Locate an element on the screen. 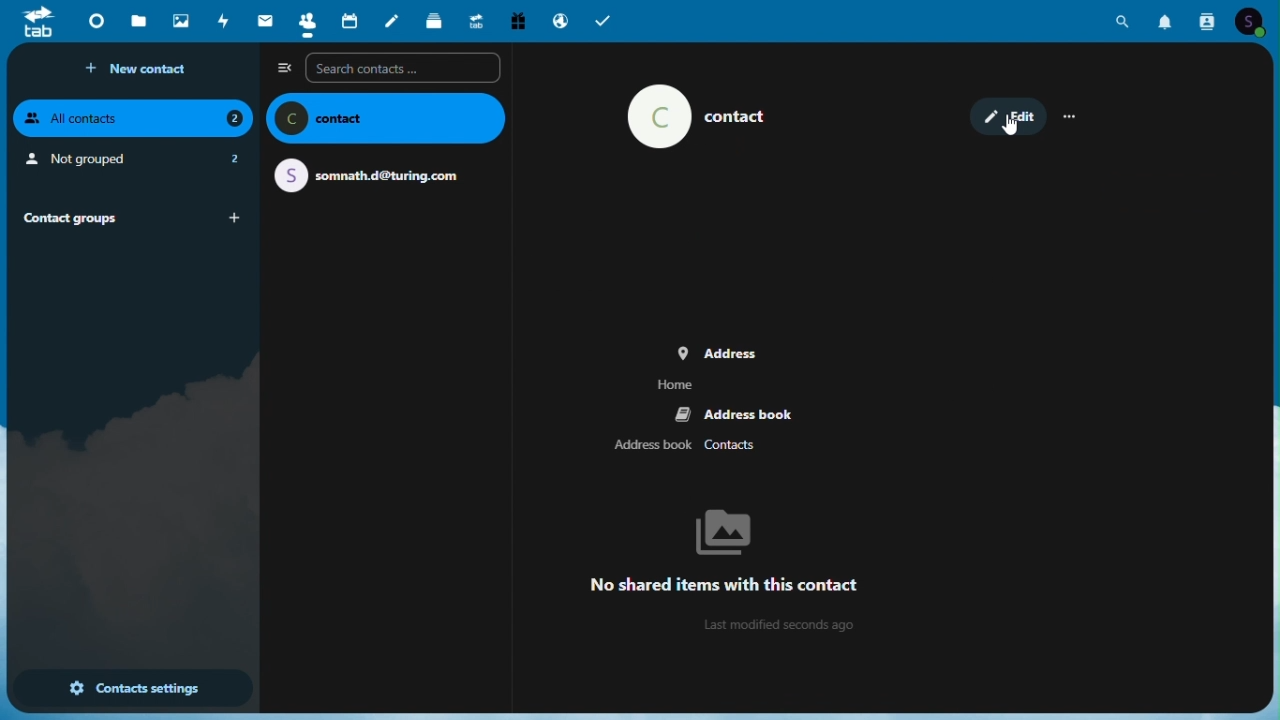  add group is located at coordinates (237, 218).